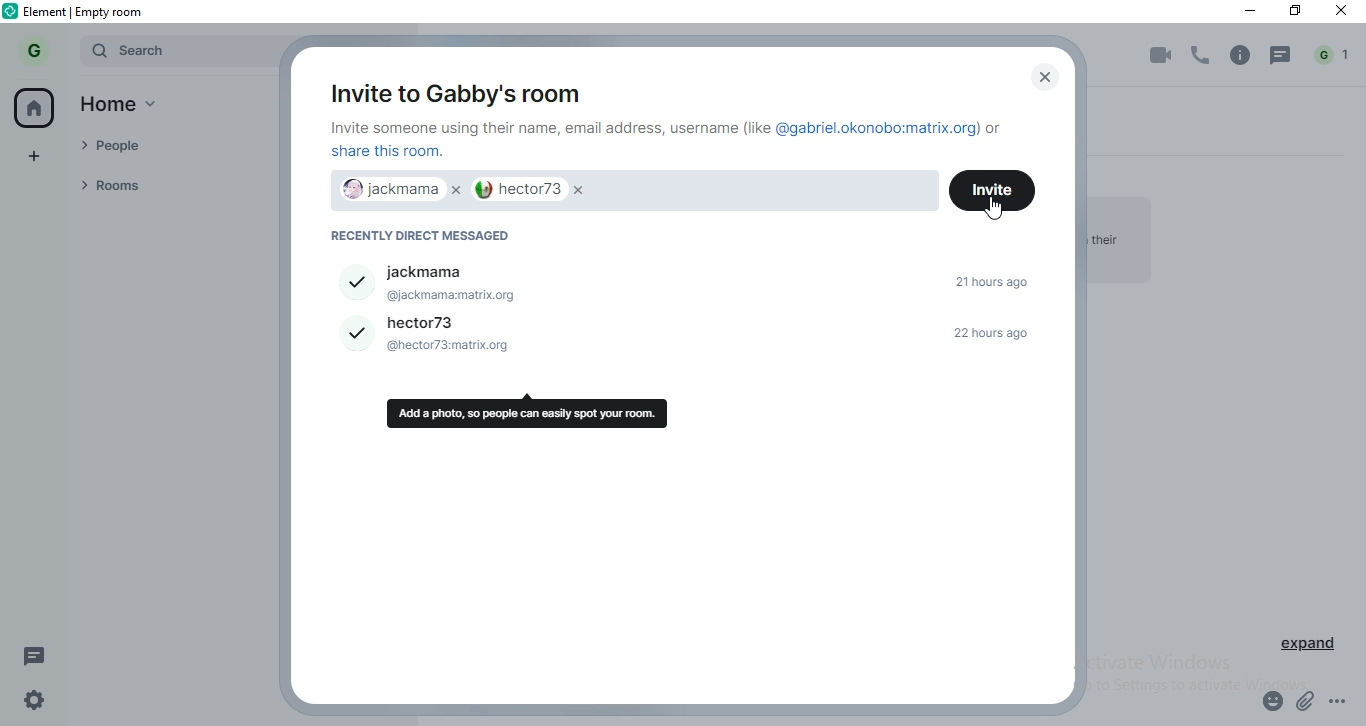  What do you see at coordinates (1295, 13) in the screenshot?
I see `restore` at bounding box center [1295, 13].